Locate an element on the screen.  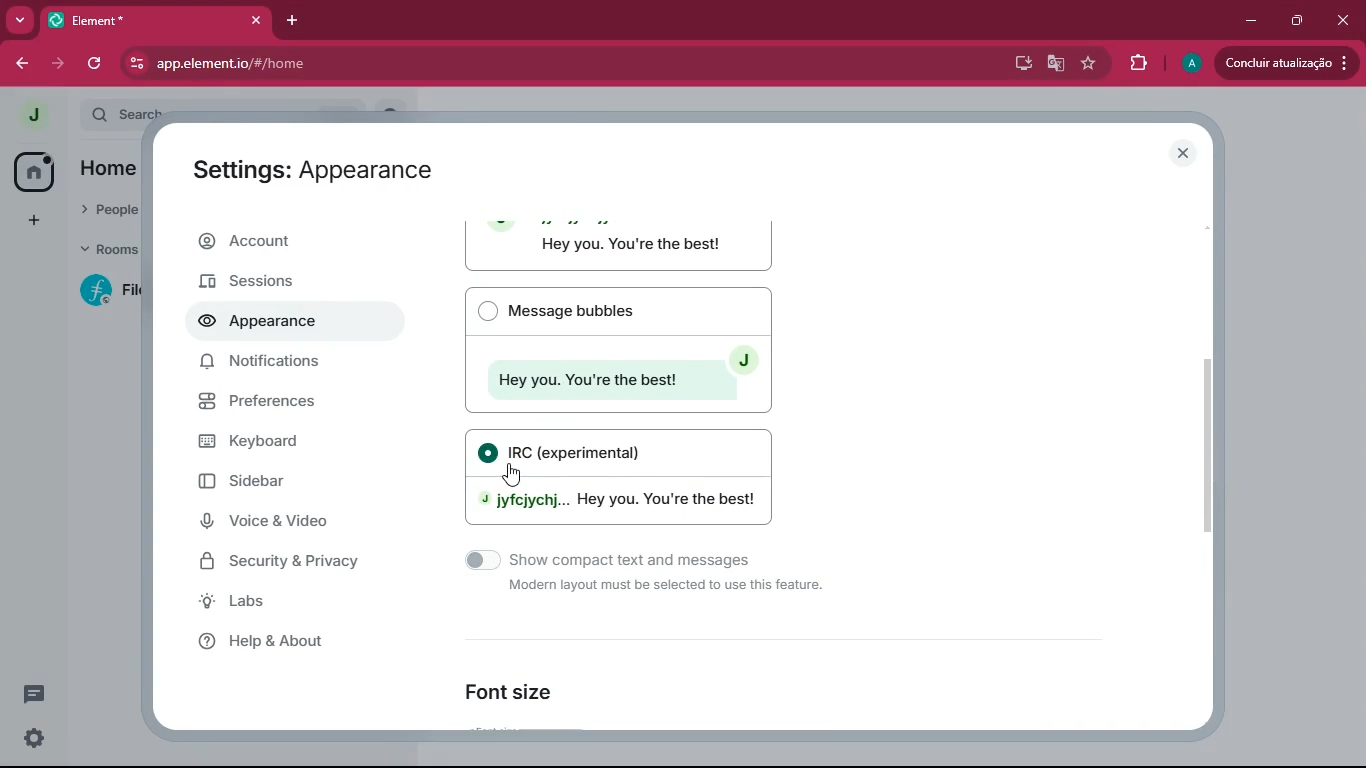
Settings: Appearance is located at coordinates (314, 169).